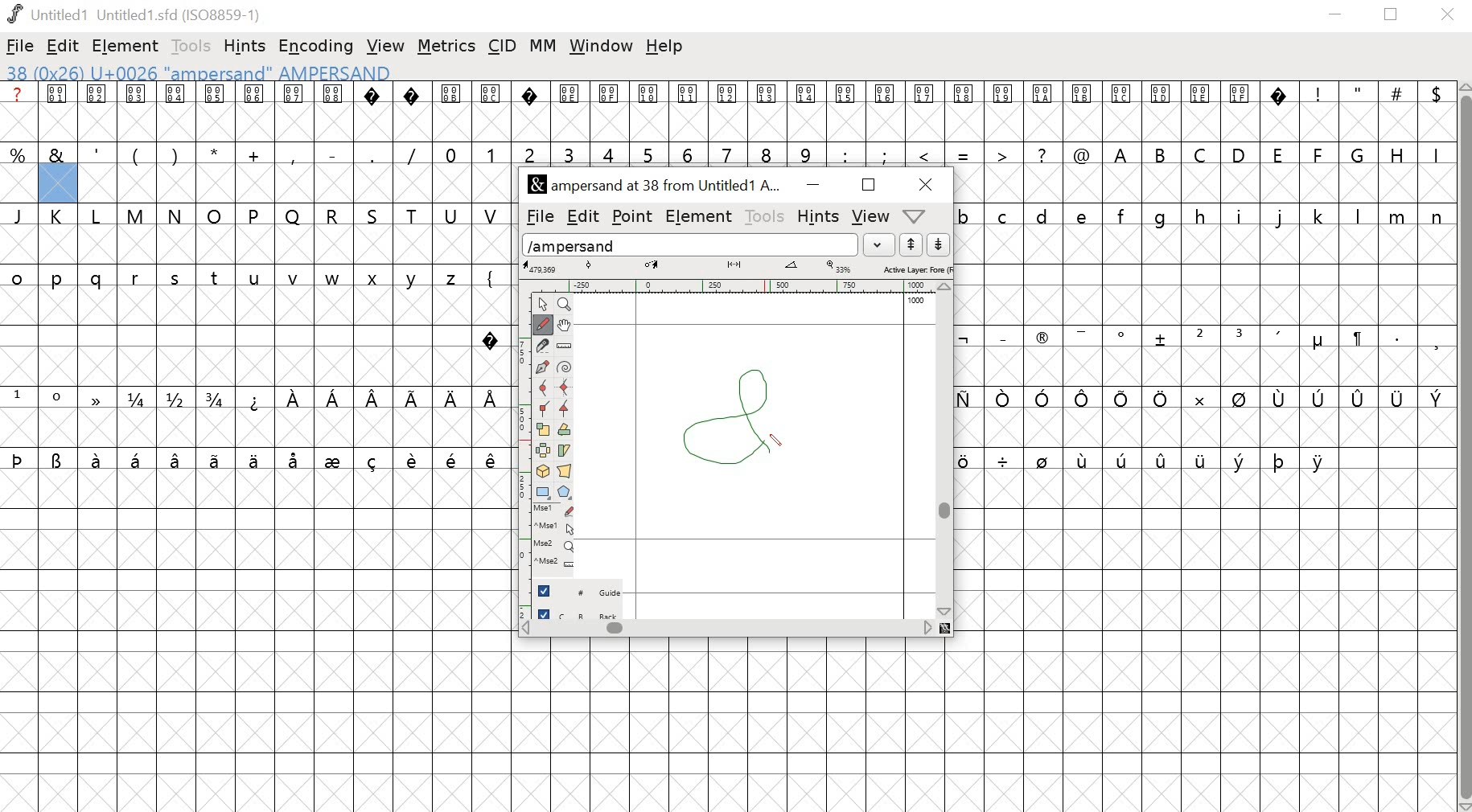 Image resolution: width=1472 pixels, height=812 pixels. I want to click on V, so click(492, 214).